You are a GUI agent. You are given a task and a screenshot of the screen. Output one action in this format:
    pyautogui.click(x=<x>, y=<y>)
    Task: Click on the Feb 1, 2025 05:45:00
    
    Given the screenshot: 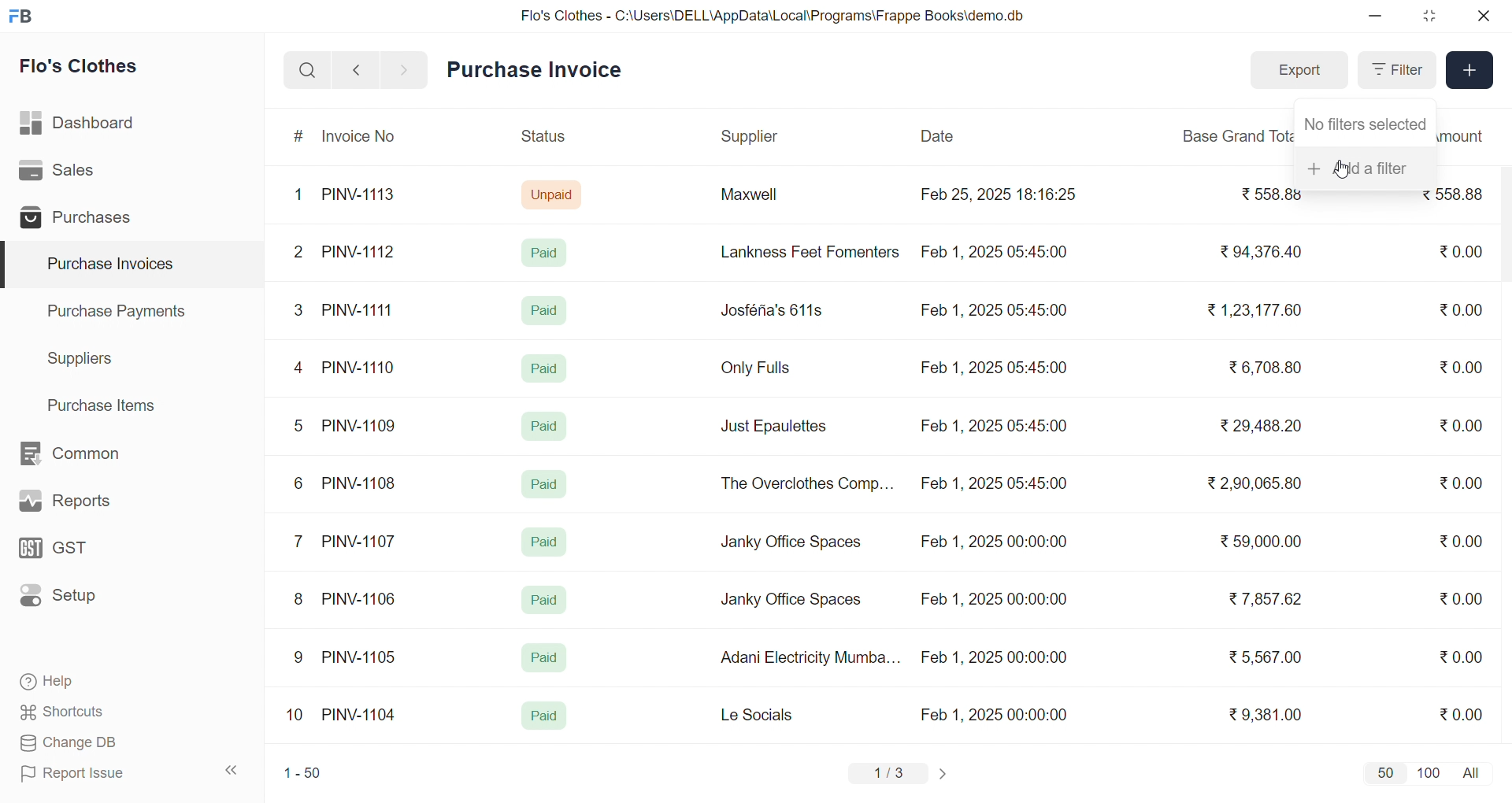 What is the action you would take?
    pyautogui.click(x=992, y=312)
    